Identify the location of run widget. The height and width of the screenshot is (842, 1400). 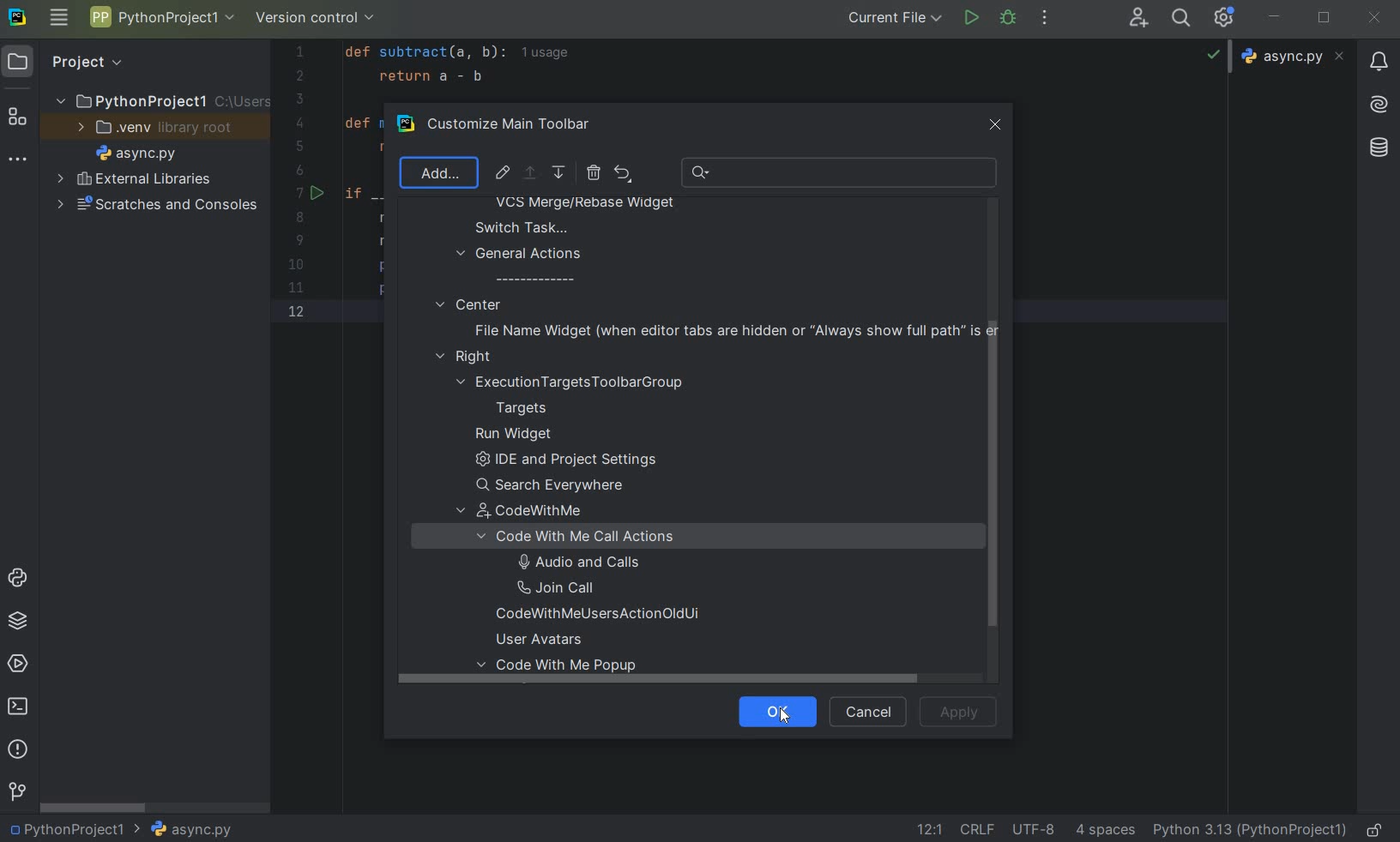
(514, 435).